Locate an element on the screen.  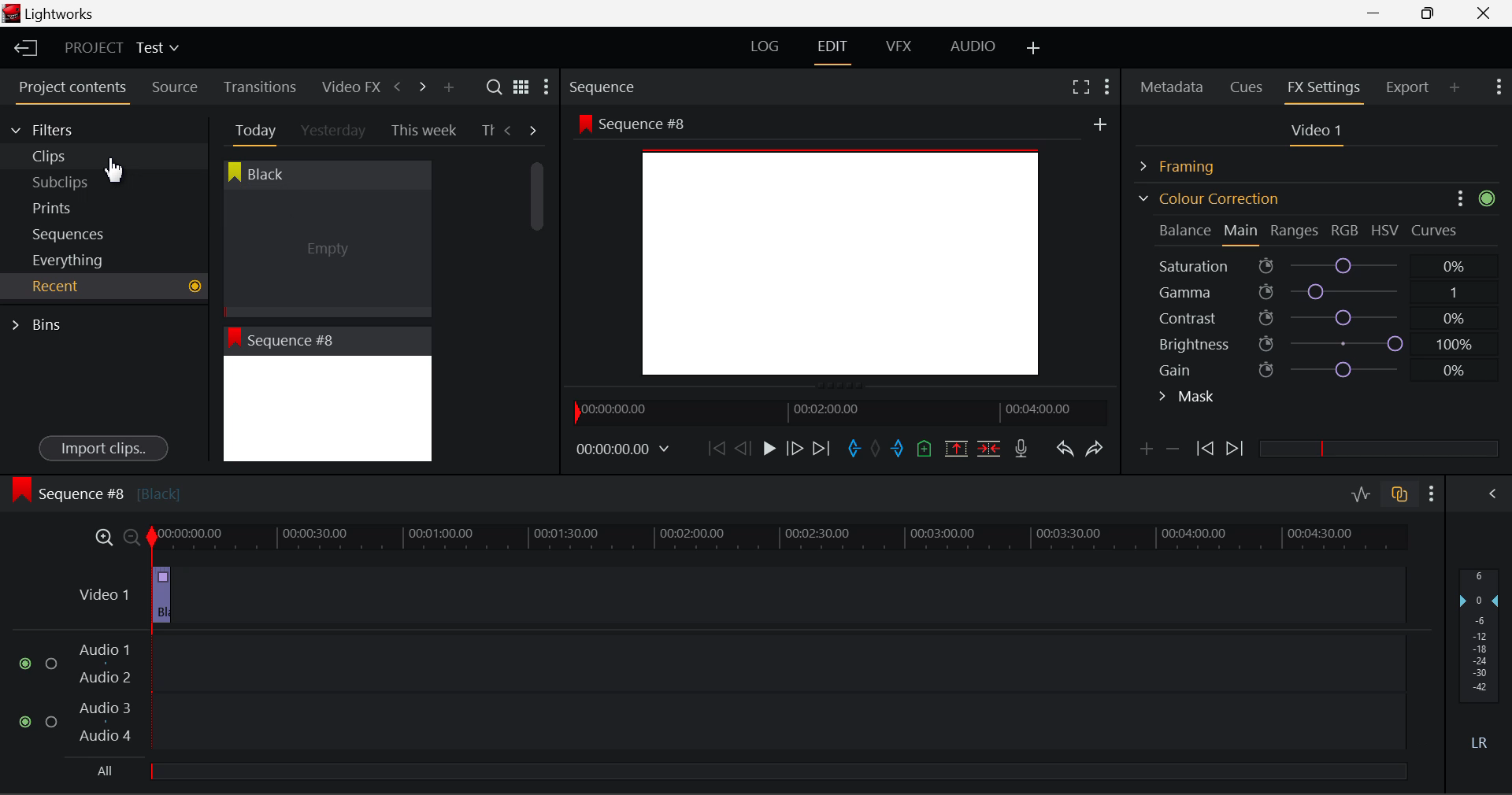
Toggle list and title view is located at coordinates (521, 87).